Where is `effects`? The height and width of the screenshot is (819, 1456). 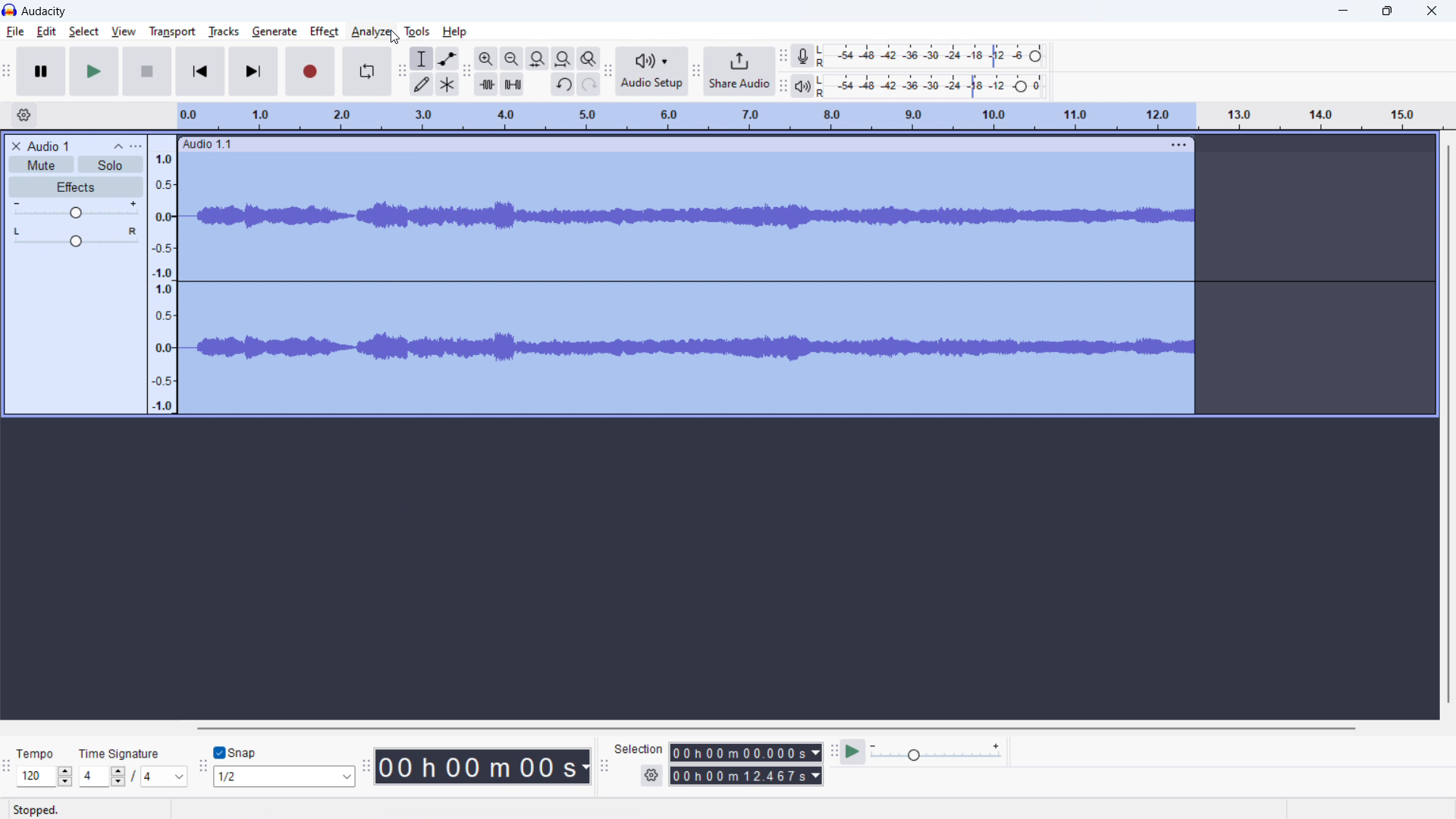 effects is located at coordinates (75, 187).